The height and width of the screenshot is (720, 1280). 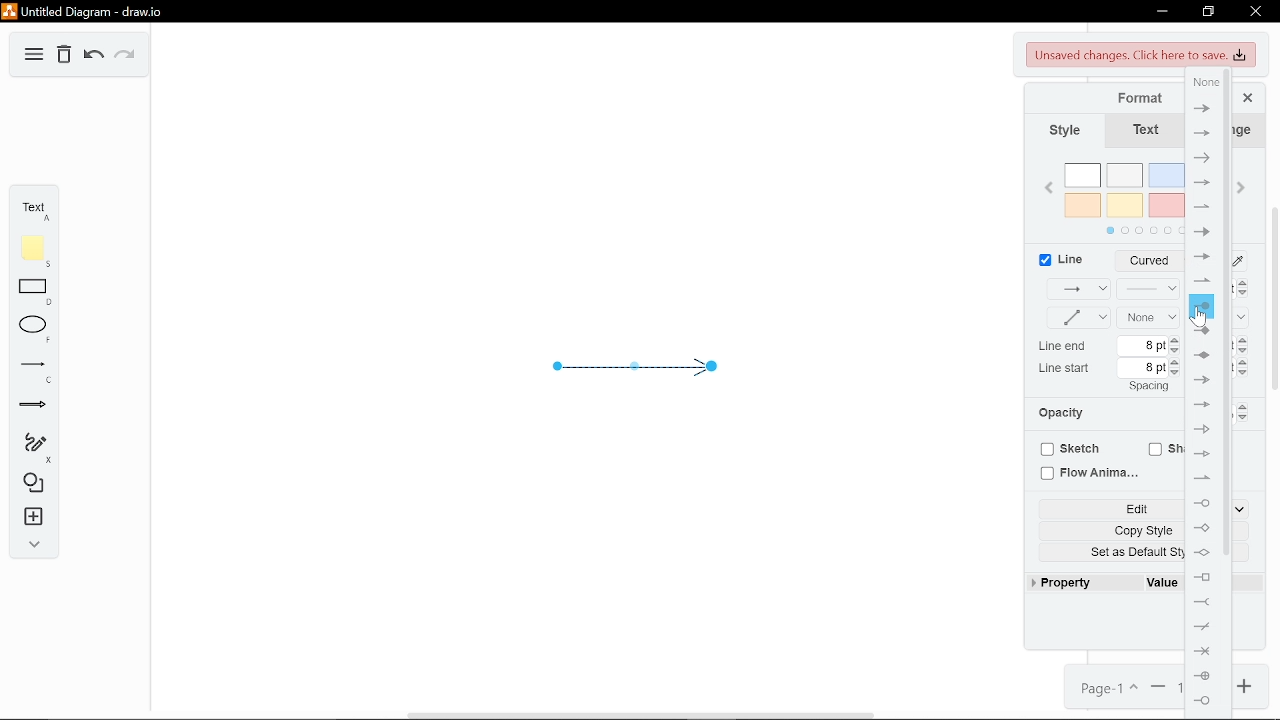 What do you see at coordinates (35, 446) in the screenshot?
I see `Freehand` at bounding box center [35, 446].